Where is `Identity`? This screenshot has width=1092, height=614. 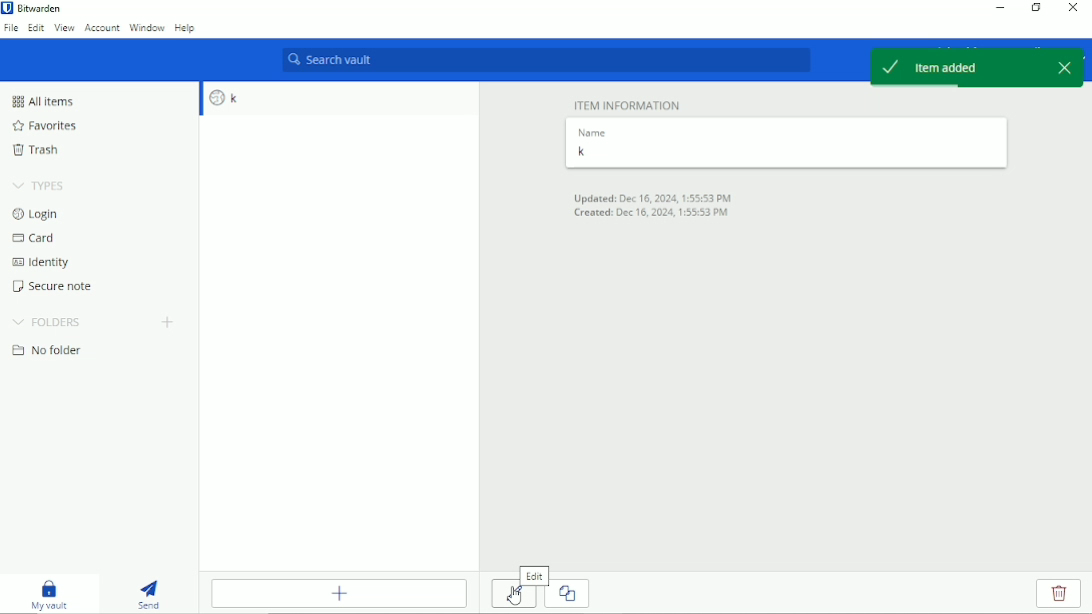
Identity is located at coordinates (39, 262).